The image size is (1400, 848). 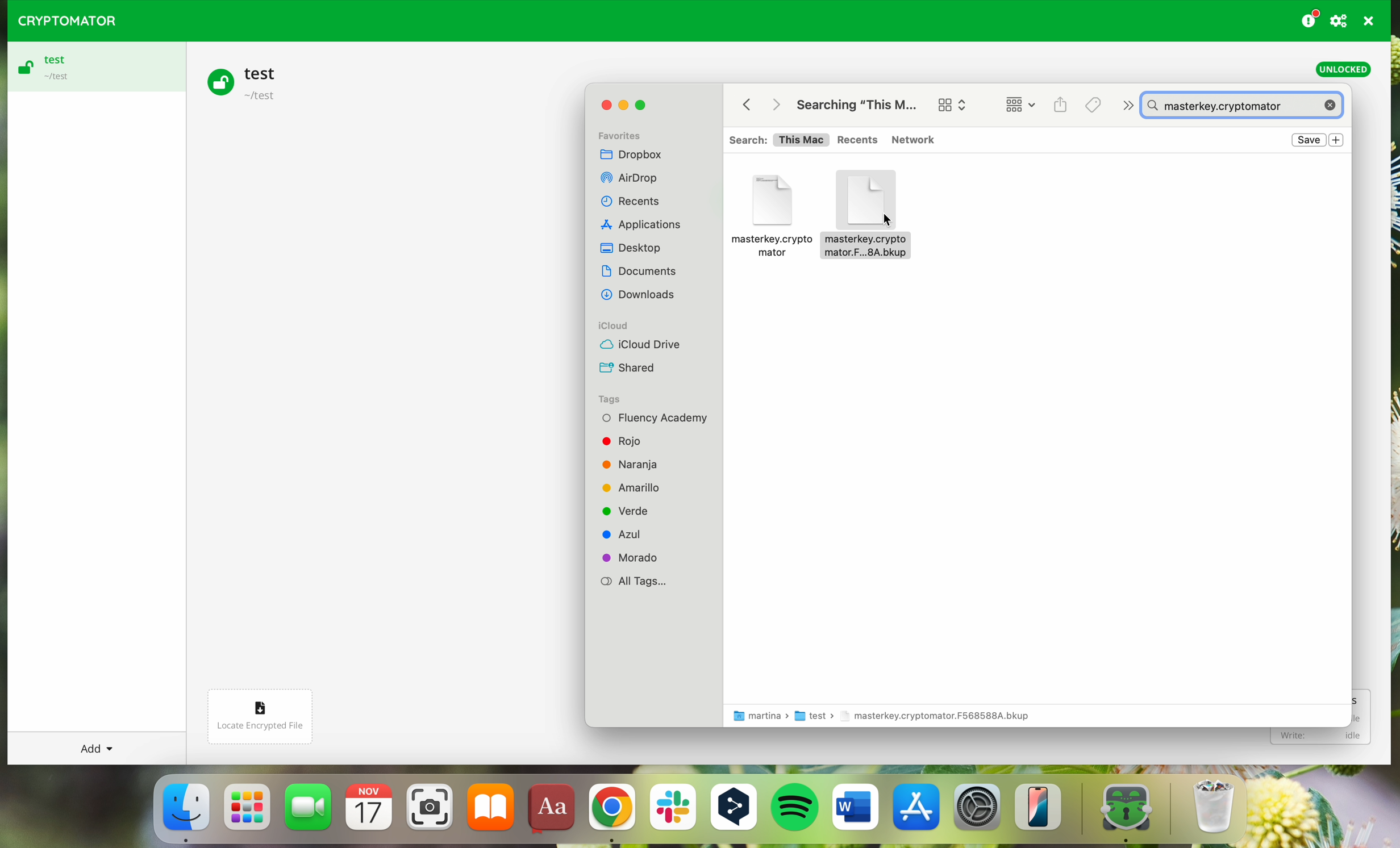 I want to click on Google Chrome, so click(x=611, y=813).